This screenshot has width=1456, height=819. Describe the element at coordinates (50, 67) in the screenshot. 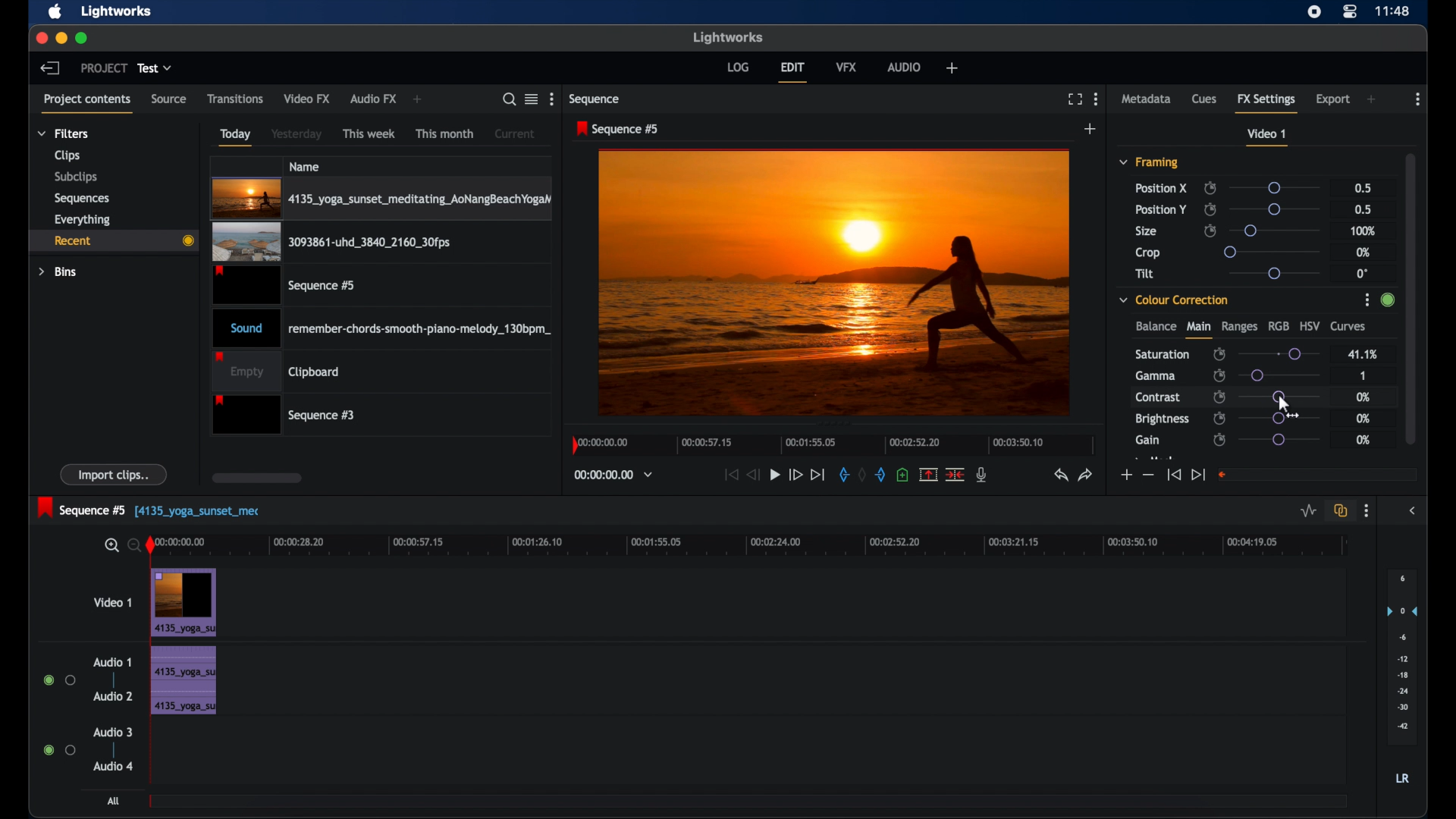

I see `back` at that location.